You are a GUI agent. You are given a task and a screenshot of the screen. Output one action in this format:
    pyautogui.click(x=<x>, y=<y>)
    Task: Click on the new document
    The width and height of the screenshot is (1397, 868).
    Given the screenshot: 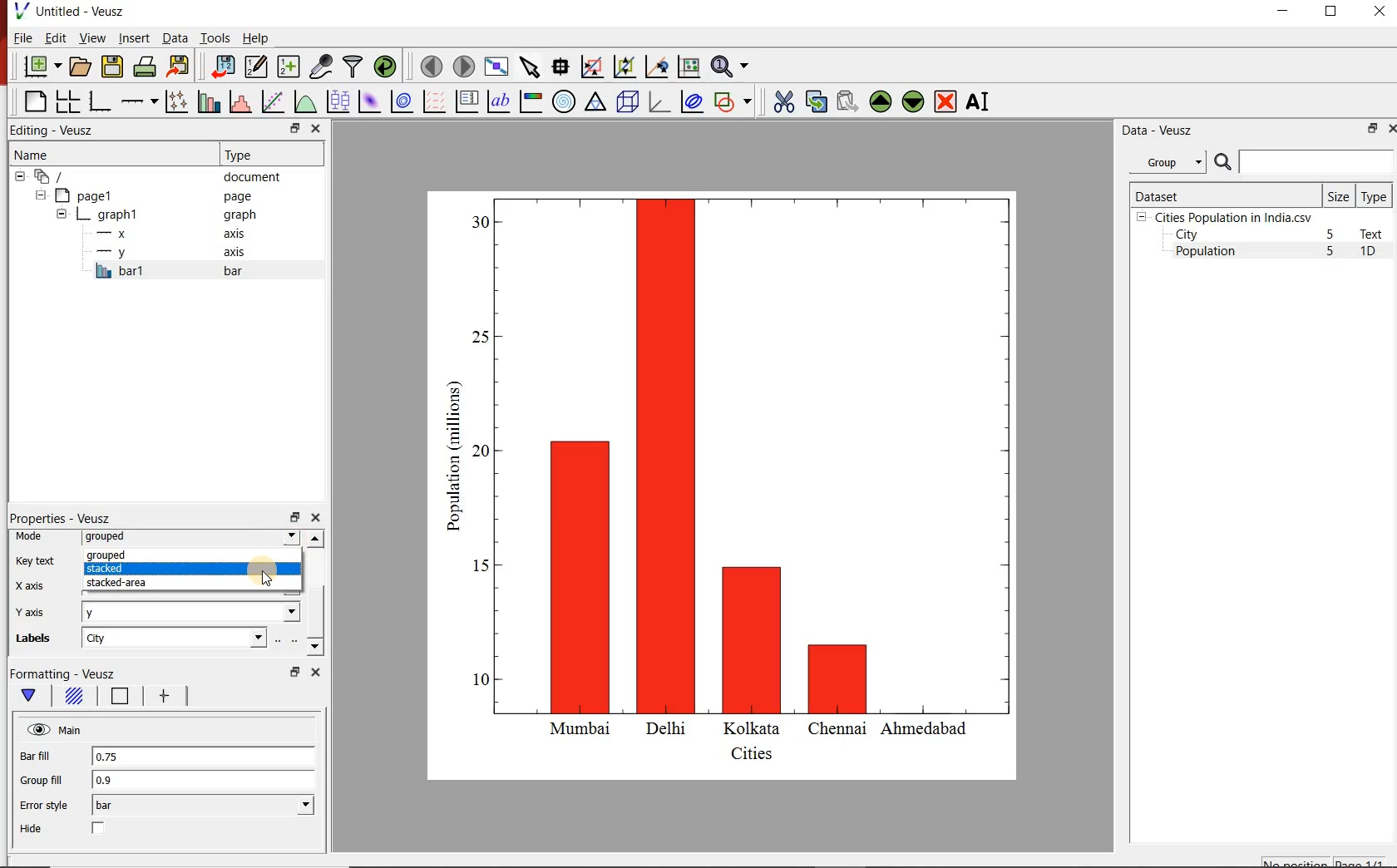 What is the action you would take?
    pyautogui.click(x=39, y=67)
    